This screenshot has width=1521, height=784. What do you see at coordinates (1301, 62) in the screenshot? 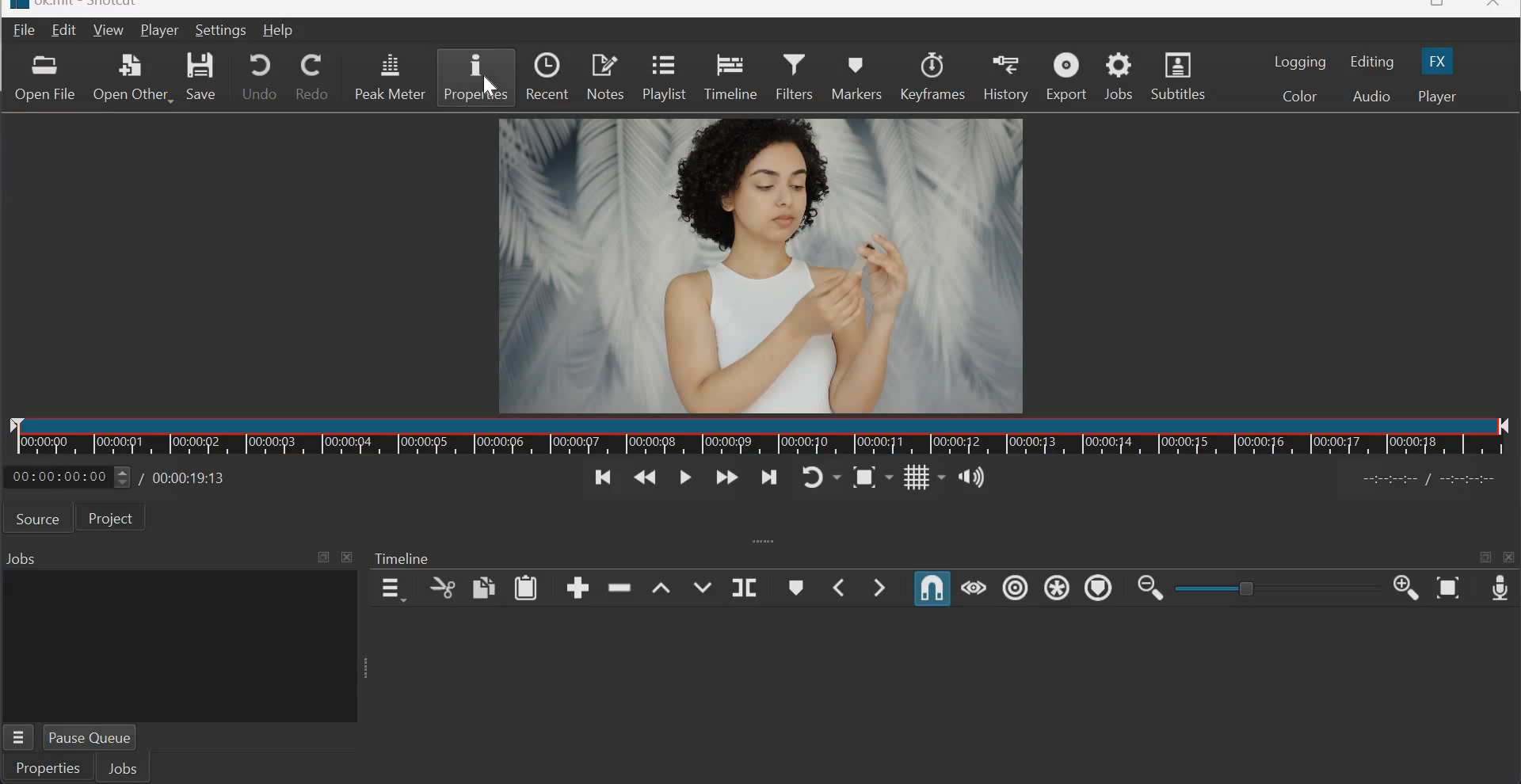
I see `Logging` at bounding box center [1301, 62].